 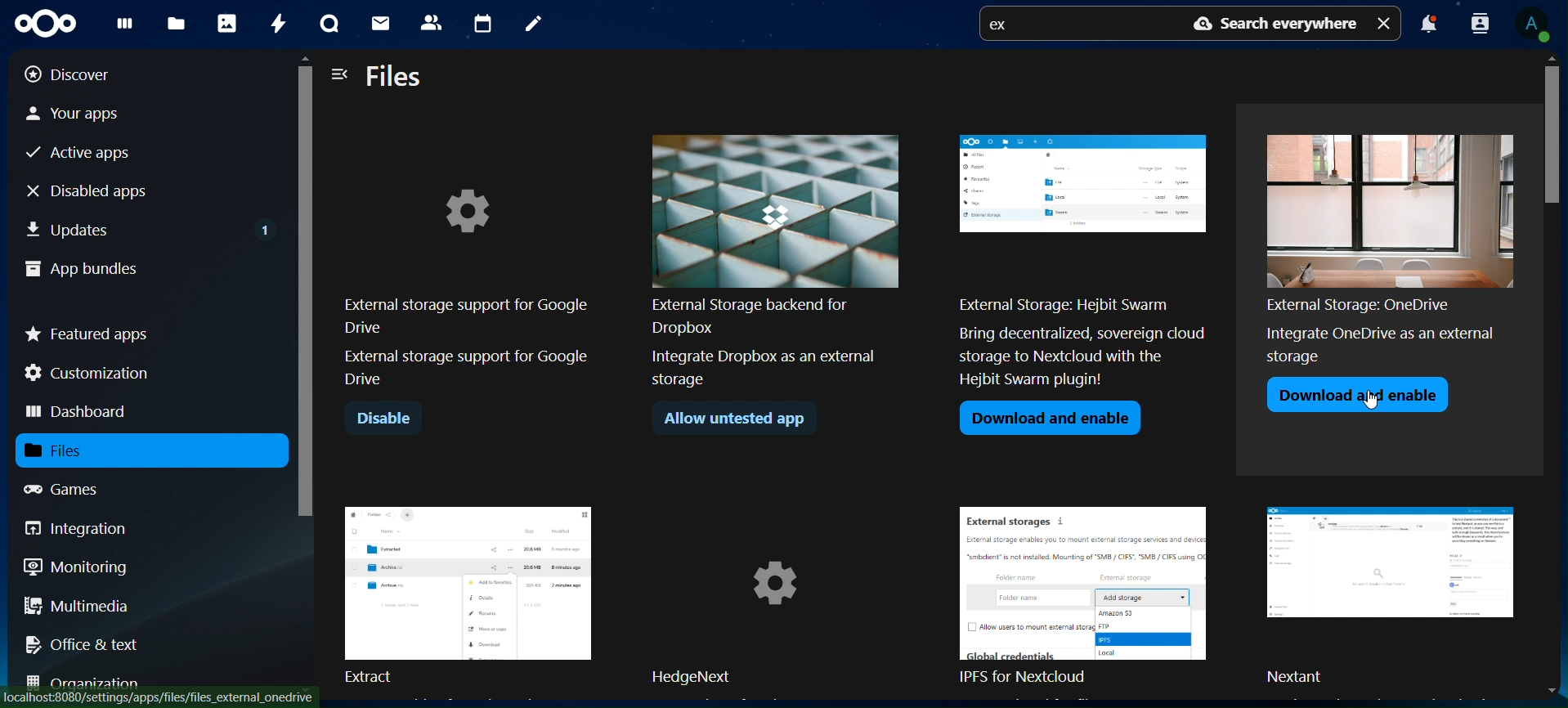 What do you see at coordinates (226, 22) in the screenshot?
I see `photos` at bounding box center [226, 22].